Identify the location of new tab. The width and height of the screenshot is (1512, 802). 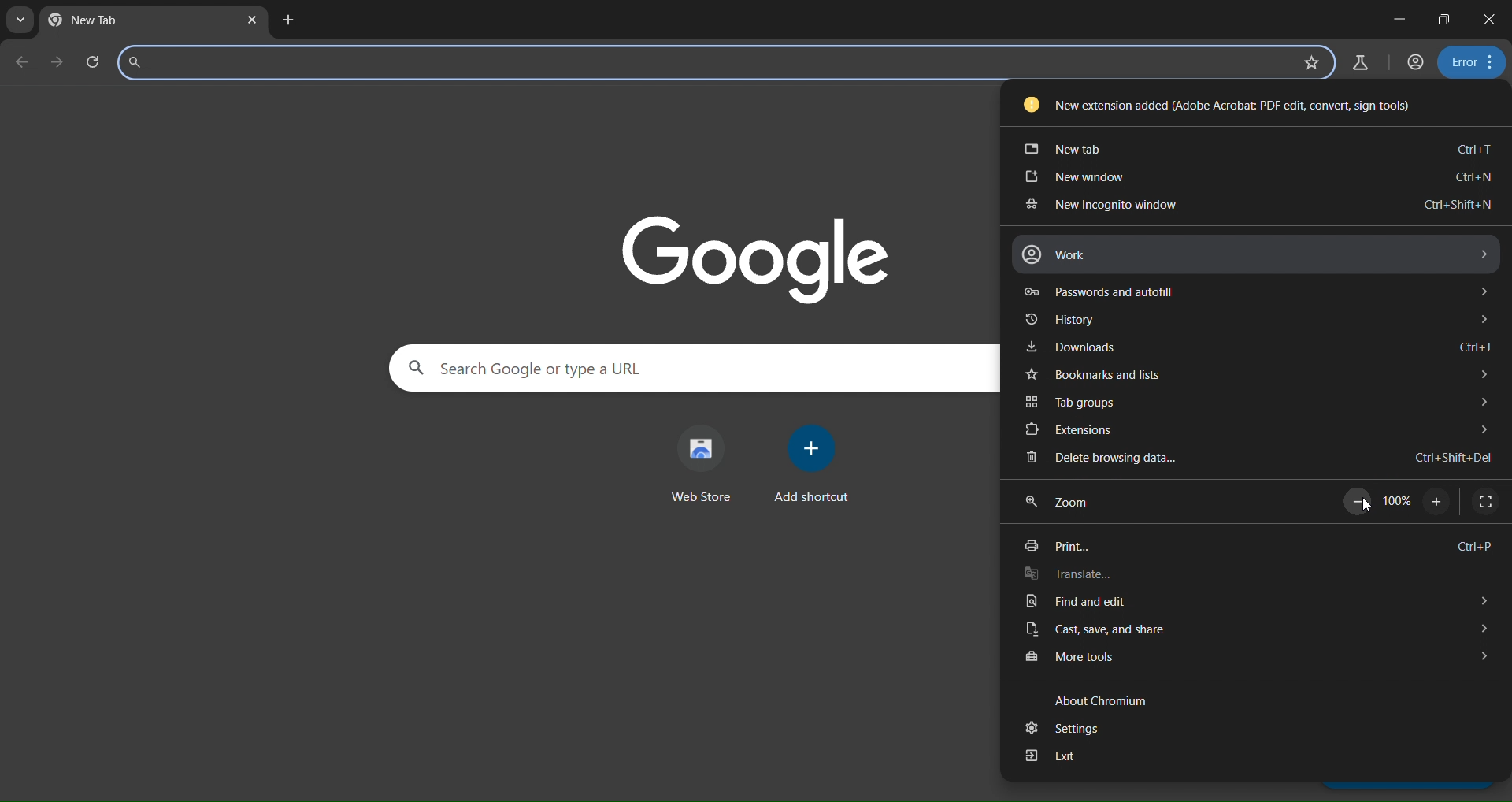
(289, 21).